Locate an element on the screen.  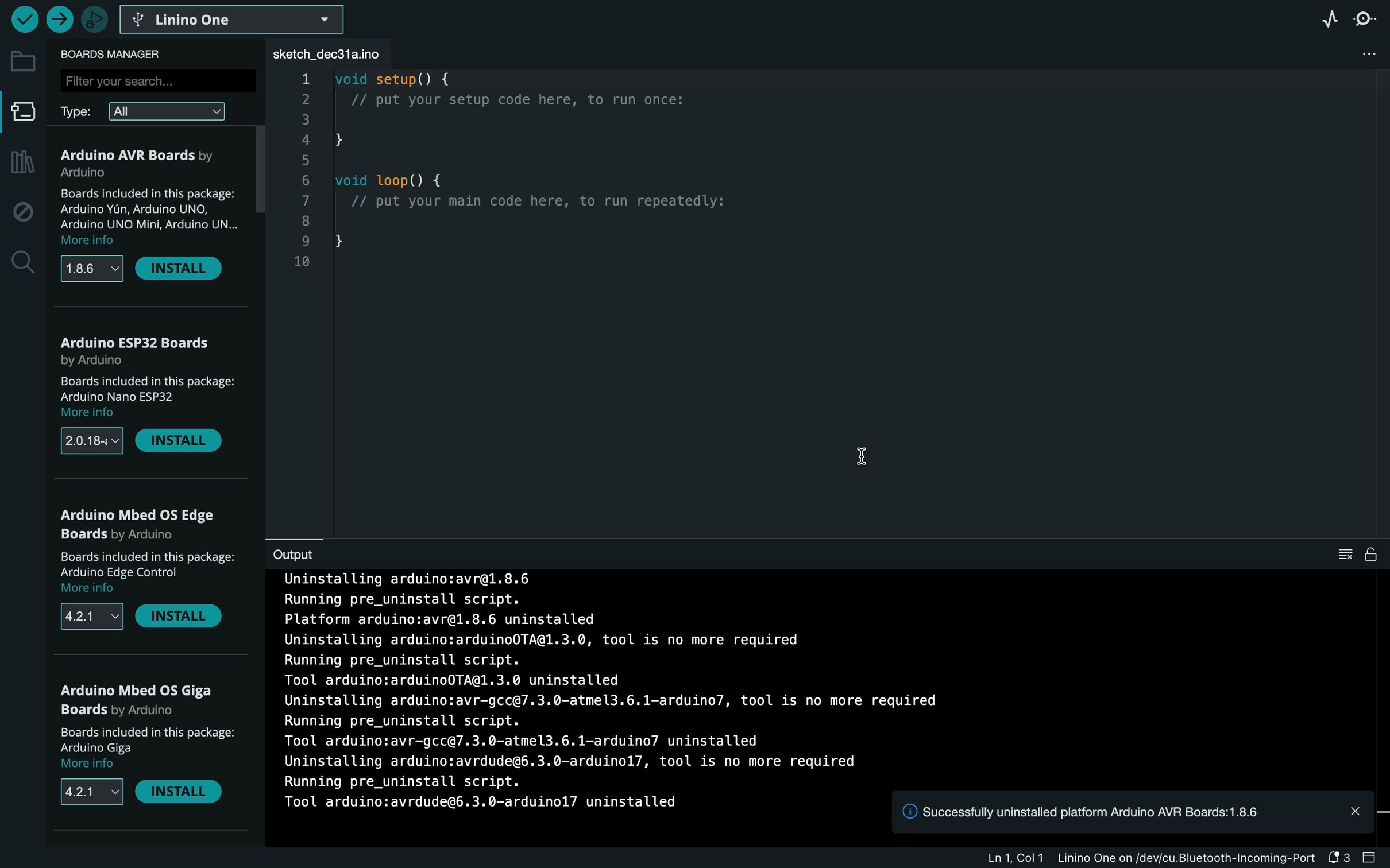
description is located at coordinates (148, 741).